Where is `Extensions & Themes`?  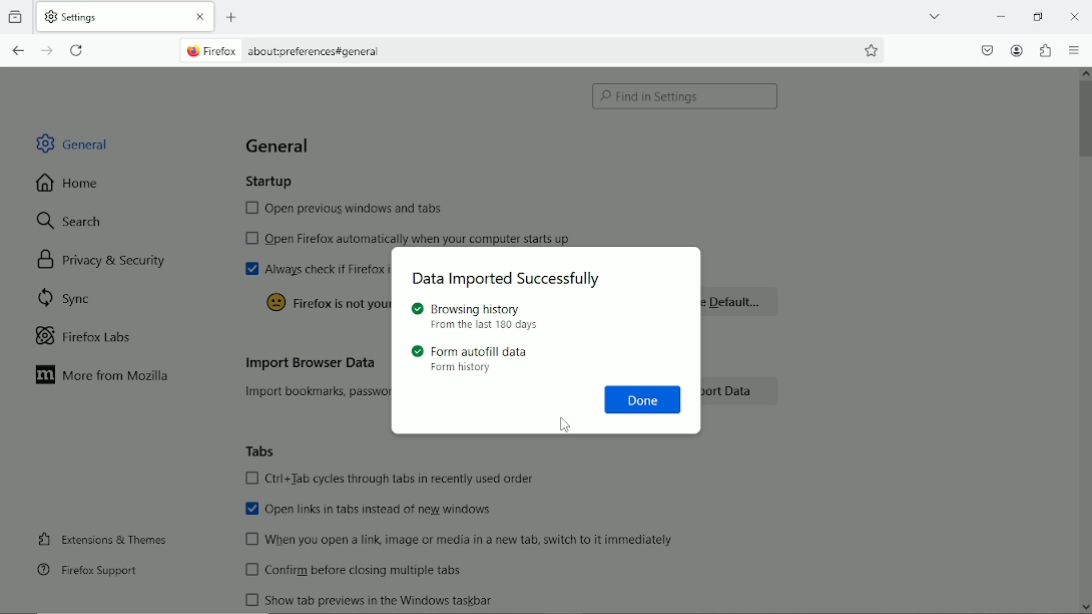
Extensions & Themes is located at coordinates (104, 538).